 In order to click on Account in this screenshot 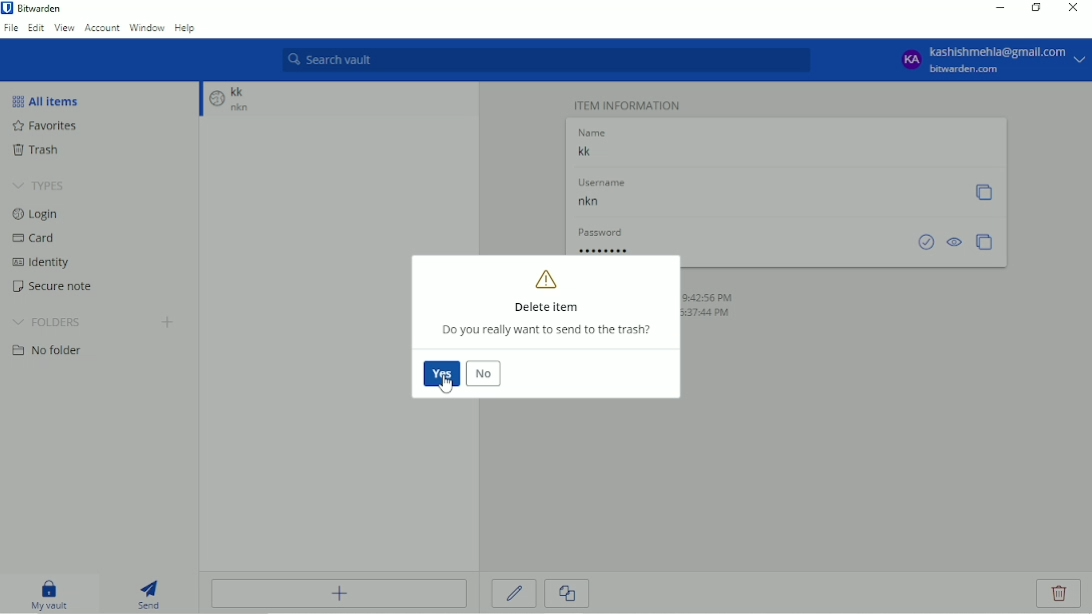, I will do `click(102, 28)`.